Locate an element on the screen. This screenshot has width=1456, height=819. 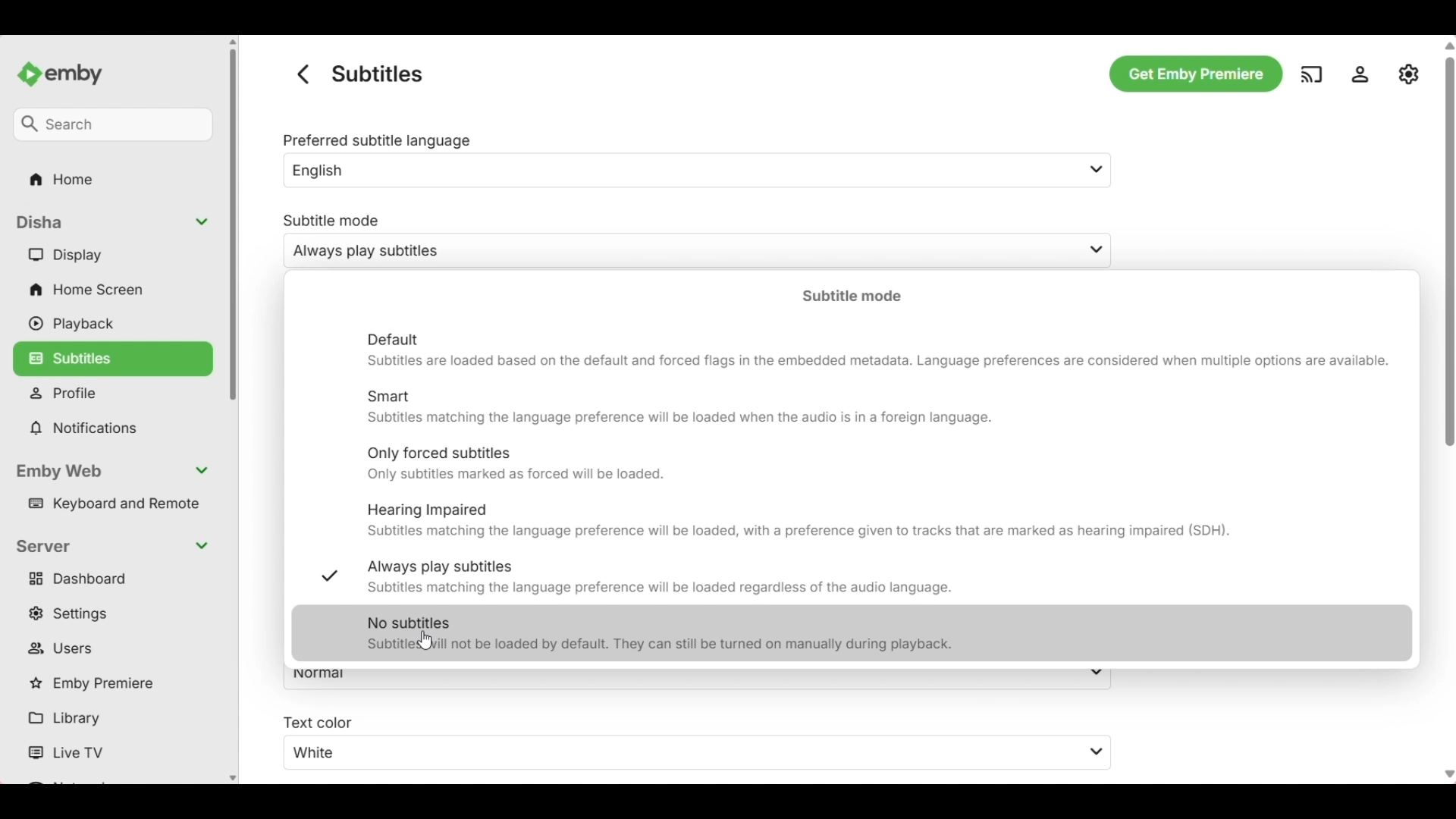
cursor is located at coordinates (428, 640).